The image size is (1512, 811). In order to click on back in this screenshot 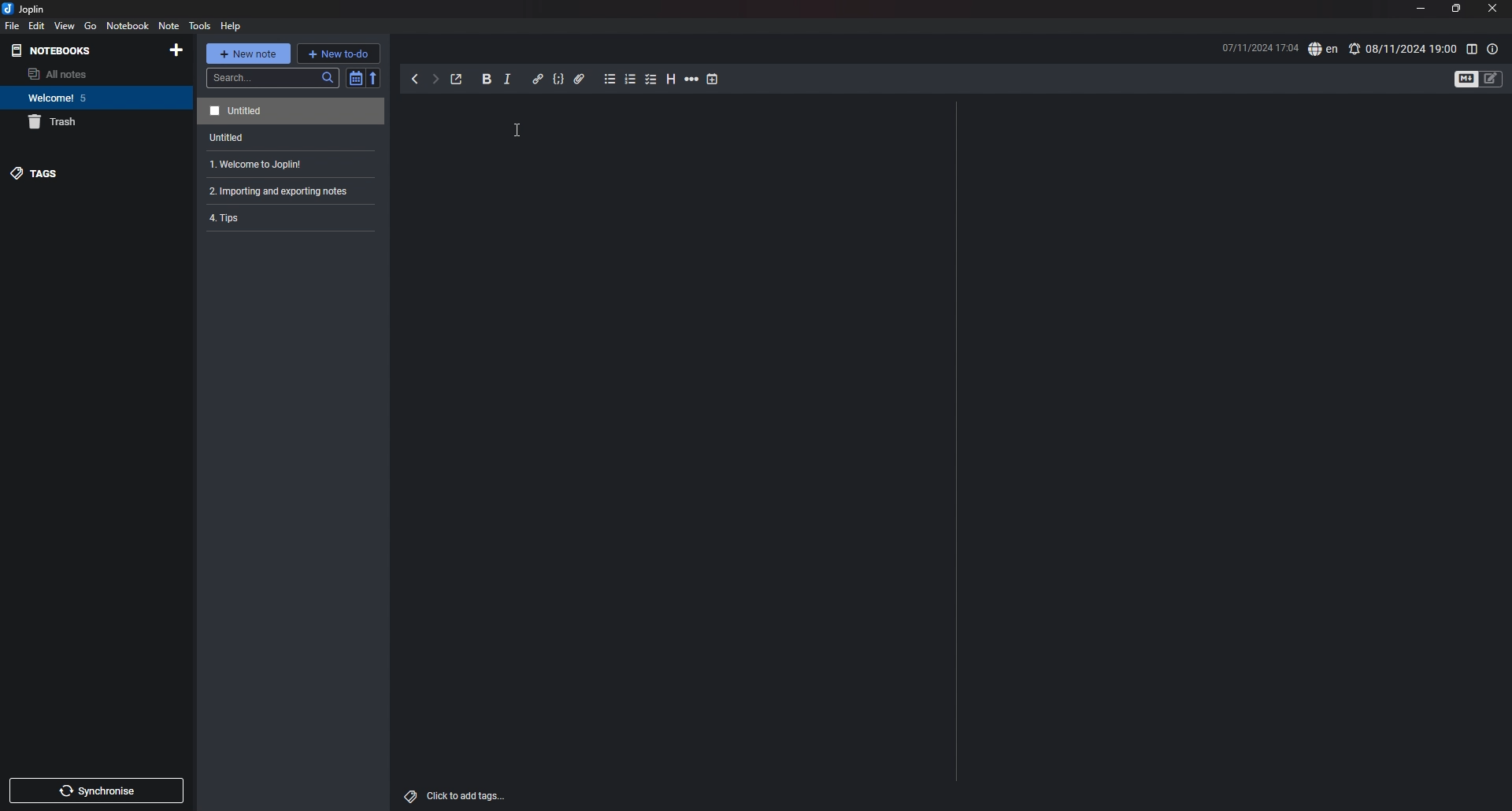, I will do `click(415, 79)`.